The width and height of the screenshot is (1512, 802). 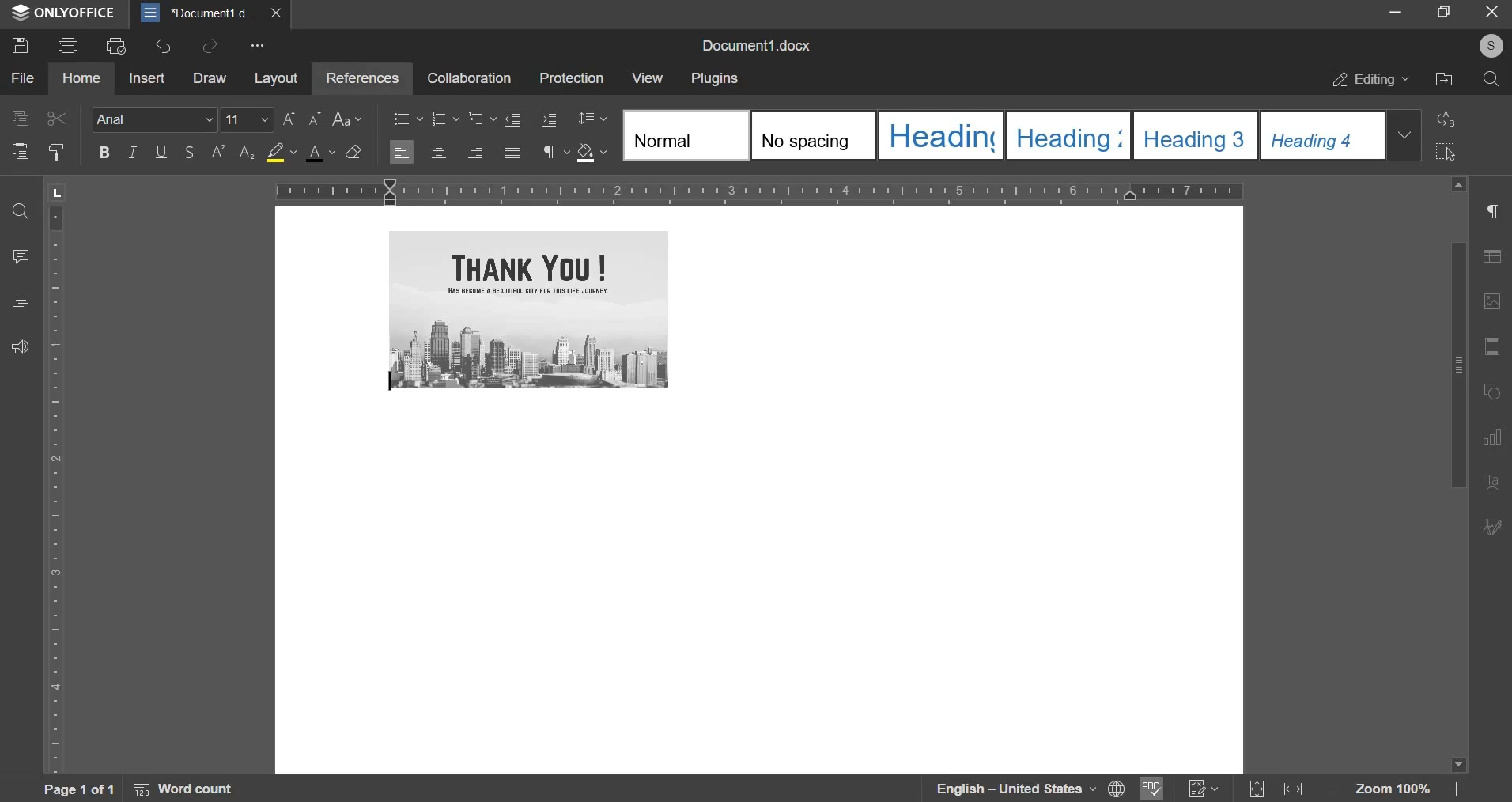 What do you see at coordinates (1457, 475) in the screenshot?
I see `vertical slider` at bounding box center [1457, 475].